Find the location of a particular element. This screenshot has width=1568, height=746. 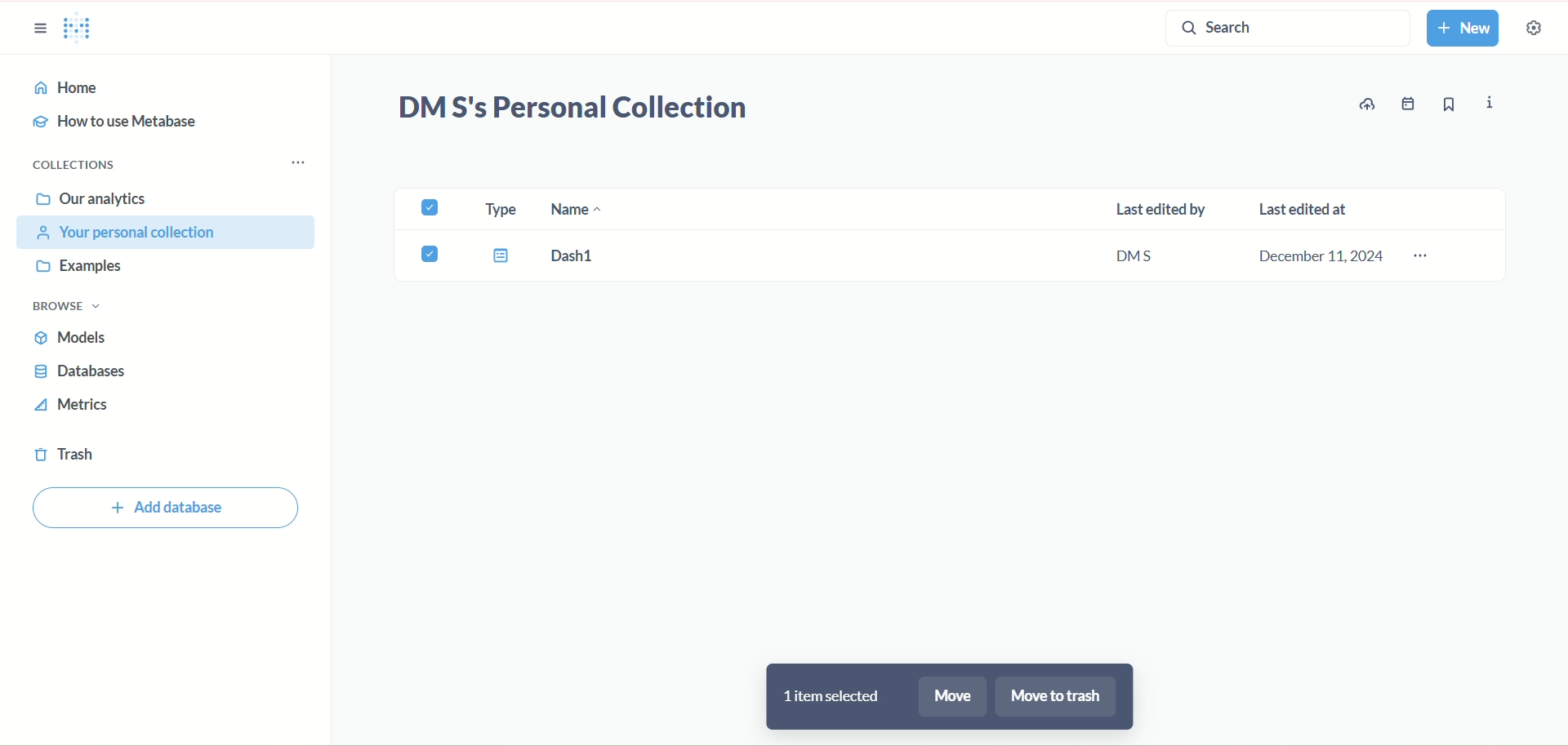

last edited by is located at coordinates (1140, 208).